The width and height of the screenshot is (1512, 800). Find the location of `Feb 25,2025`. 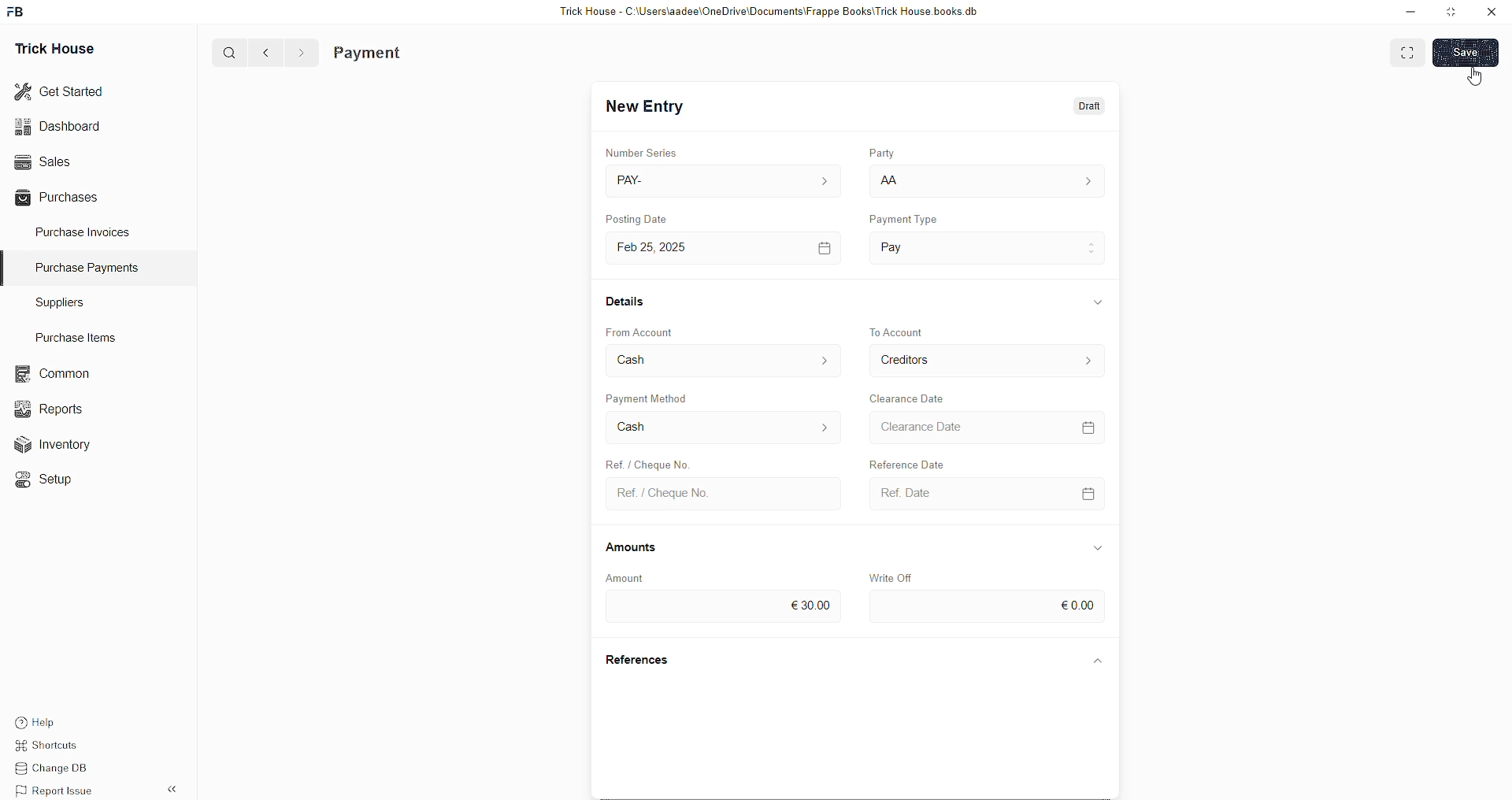

Feb 25,2025 is located at coordinates (668, 247).